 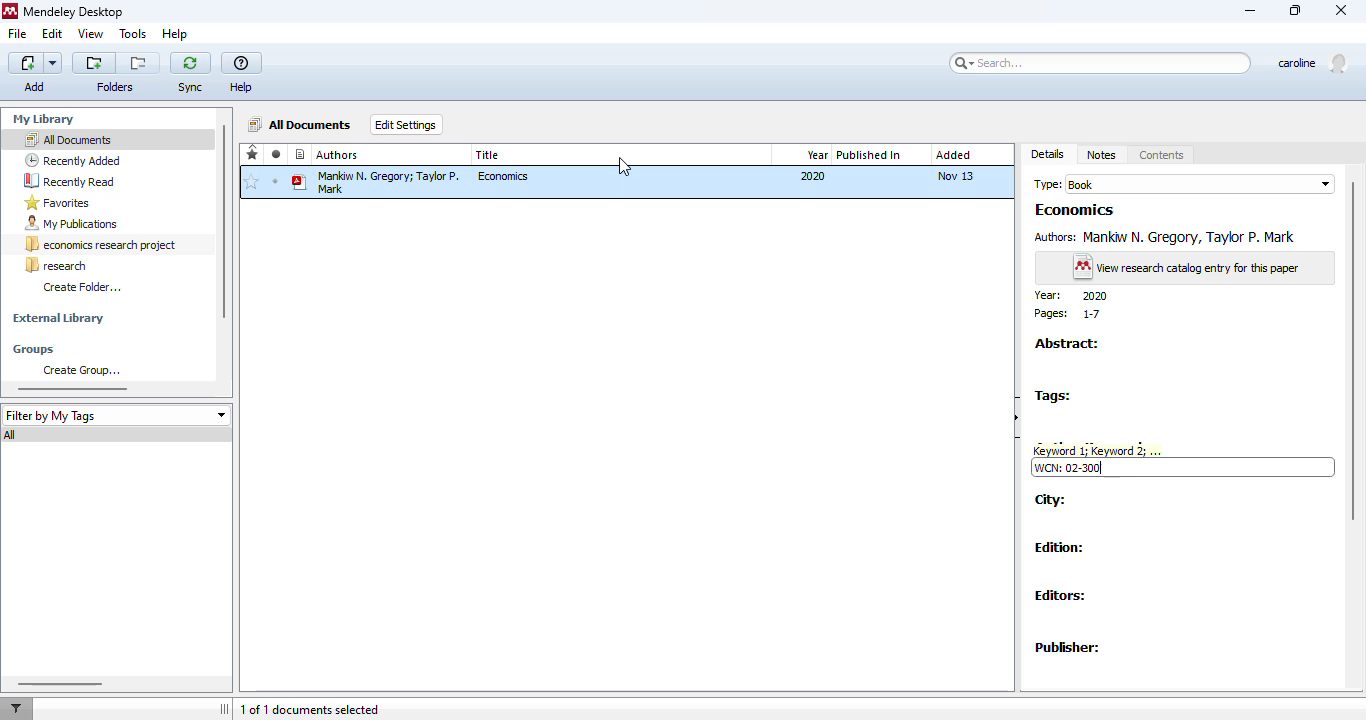 I want to click on 1 of 1 documents selected, so click(x=311, y=710).